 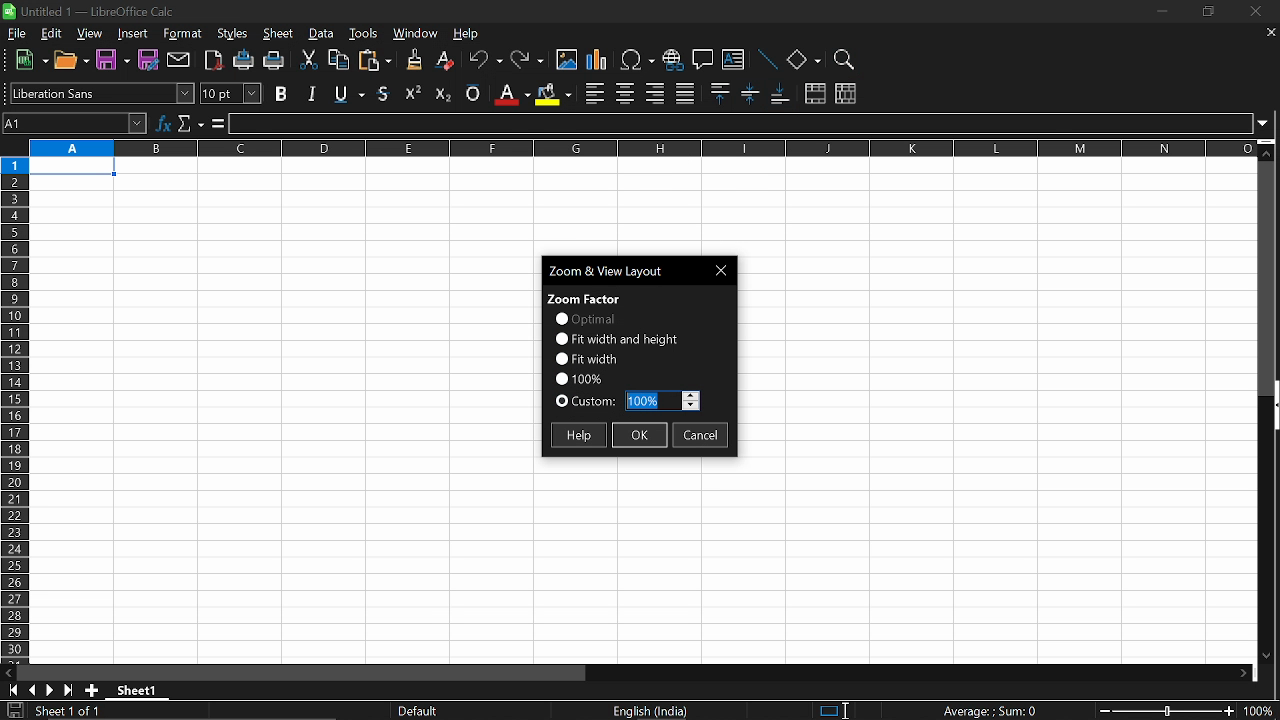 What do you see at coordinates (990, 711) in the screenshot?
I see `current formula` at bounding box center [990, 711].